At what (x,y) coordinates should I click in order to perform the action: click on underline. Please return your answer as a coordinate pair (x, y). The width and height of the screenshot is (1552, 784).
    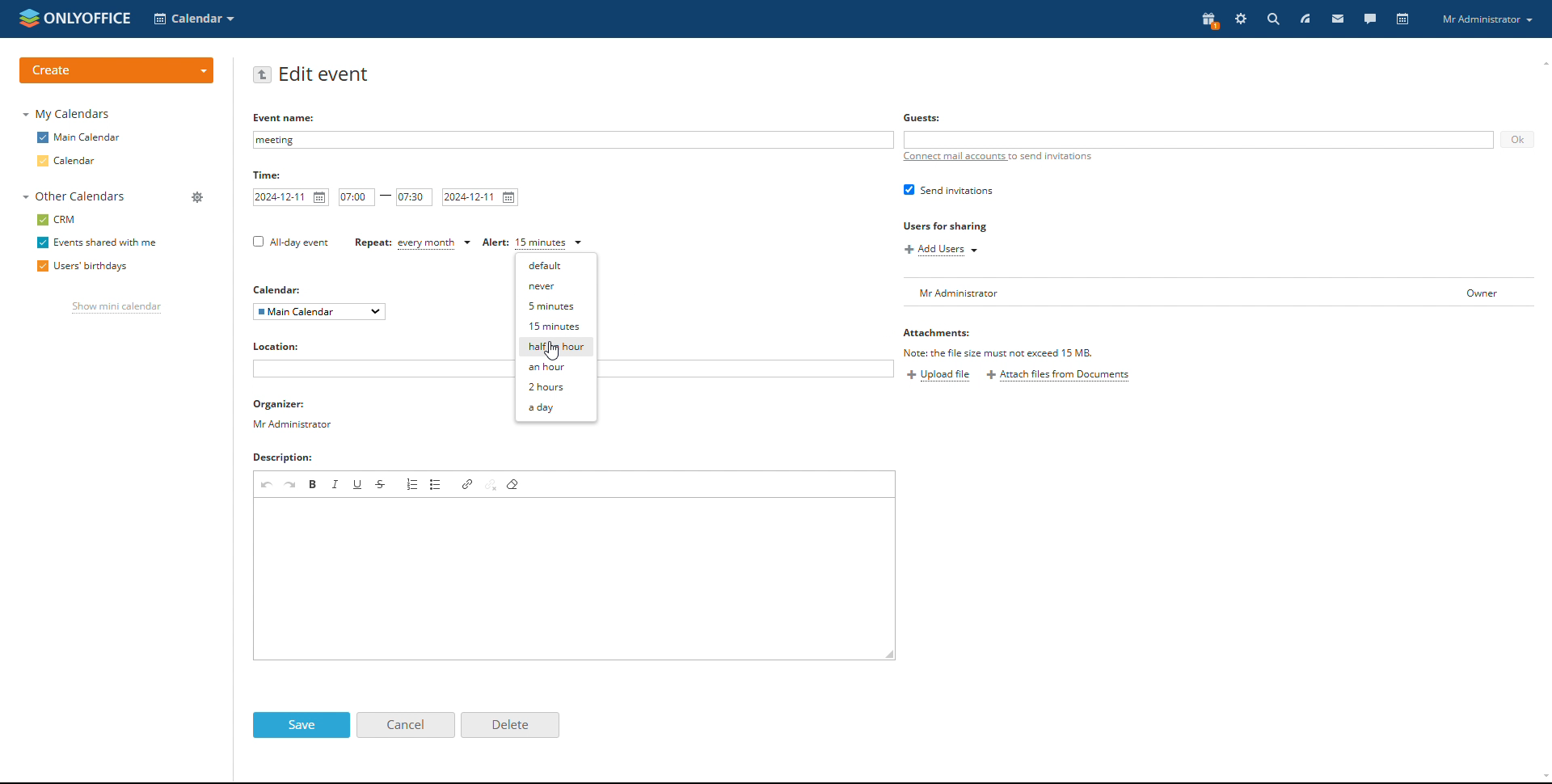
    Looking at the image, I should click on (358, 483).